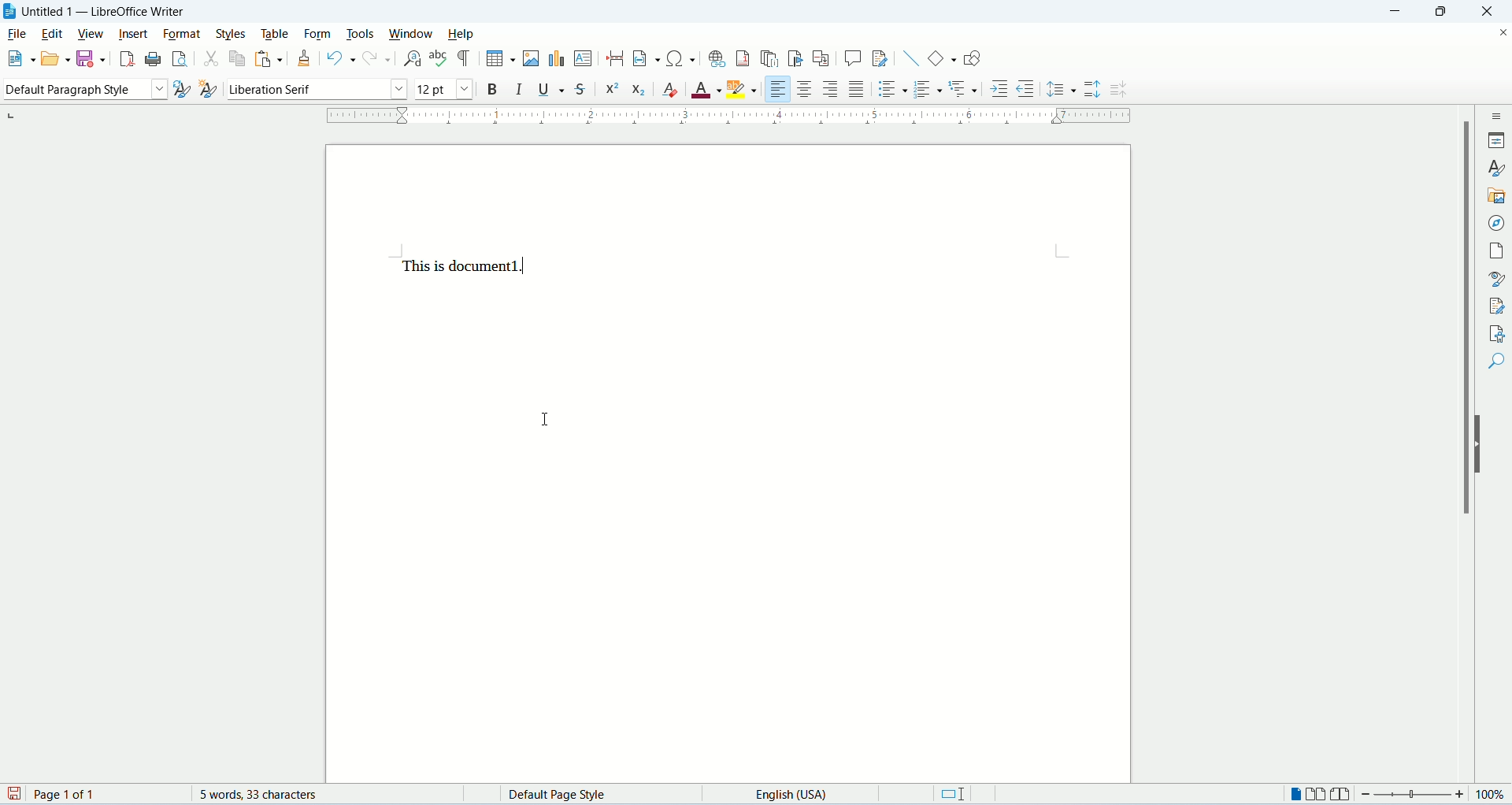 The width and height of the screenshot is (1512, 805). Describe the element at coordinates (465, 59) in the screenshot. I see `formatting marks` at that location.